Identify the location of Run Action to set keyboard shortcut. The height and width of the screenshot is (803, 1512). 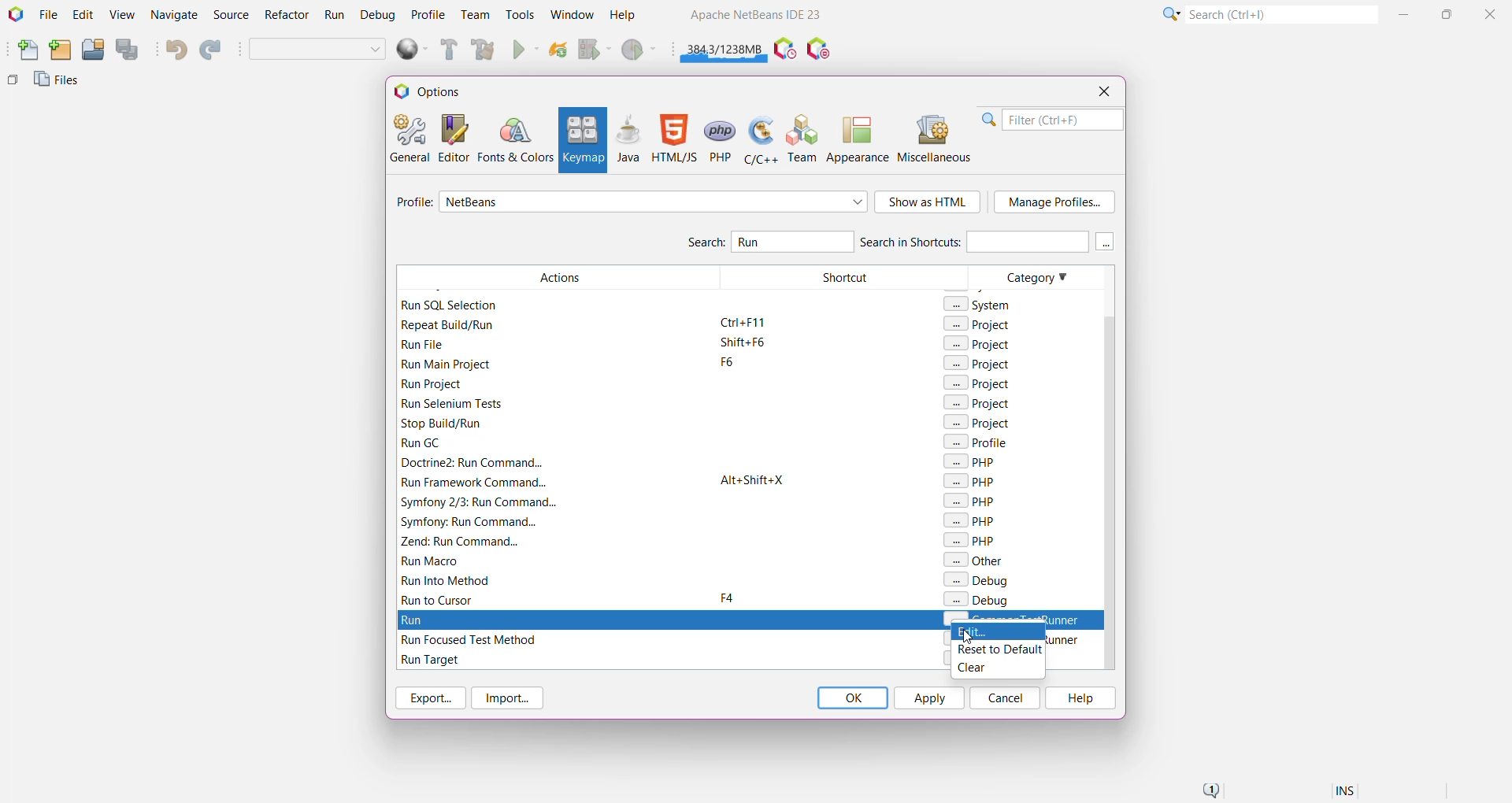
(750, 618).